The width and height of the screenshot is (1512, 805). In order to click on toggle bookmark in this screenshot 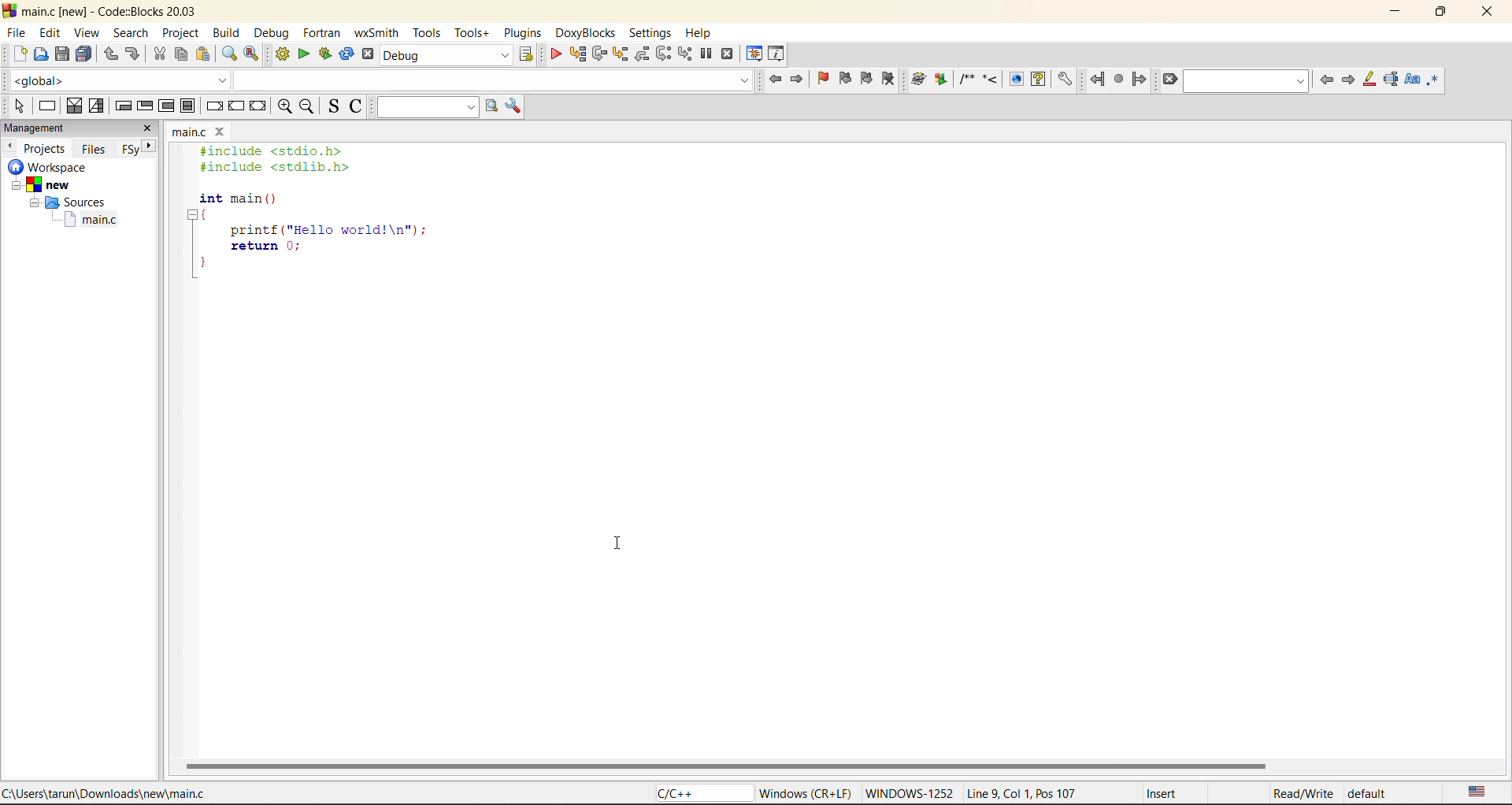, I will do `click(825, 78)`.